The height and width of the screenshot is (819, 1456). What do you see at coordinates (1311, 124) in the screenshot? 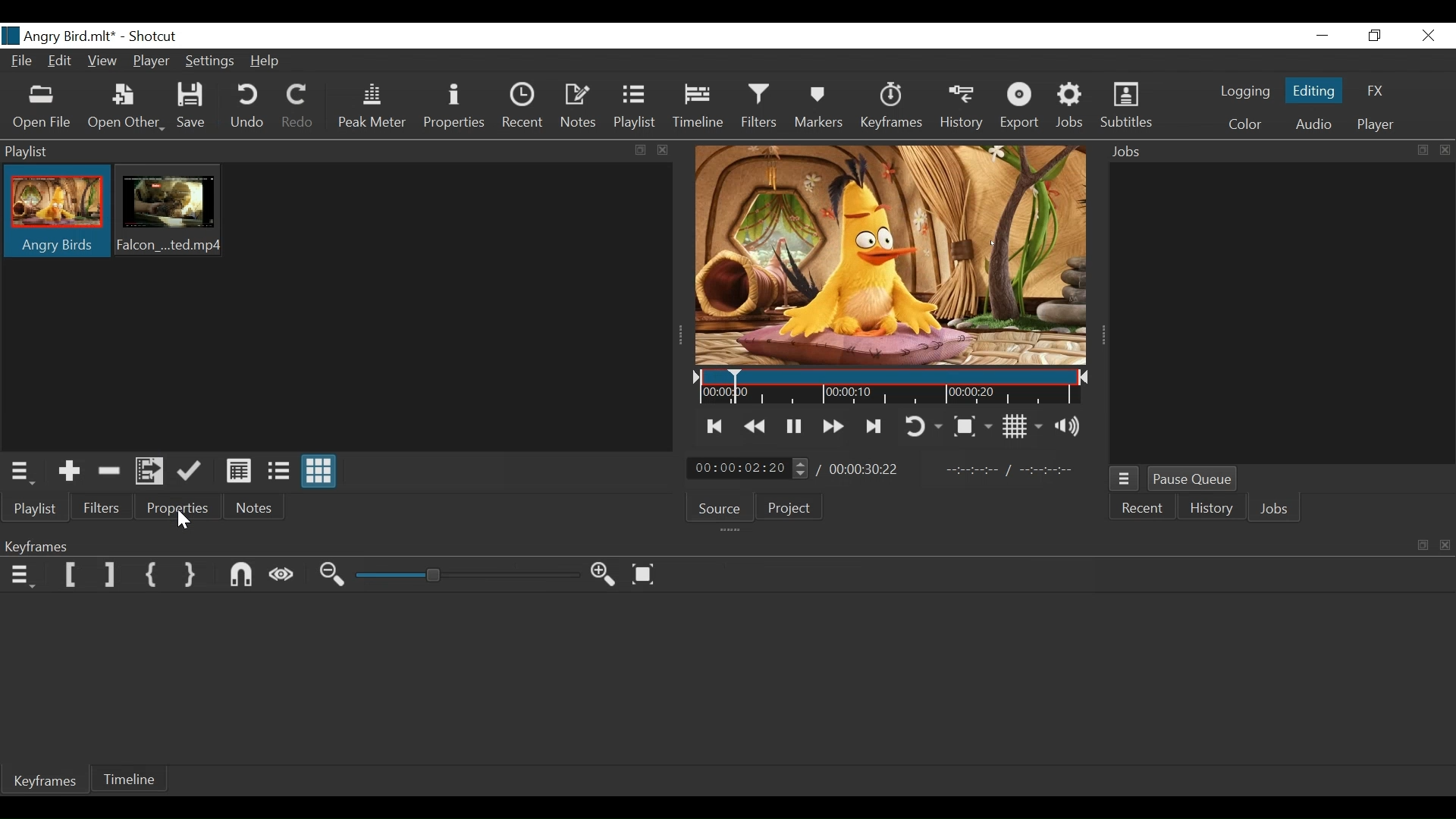
I see `Audio` at bounding box center [1311, 124].